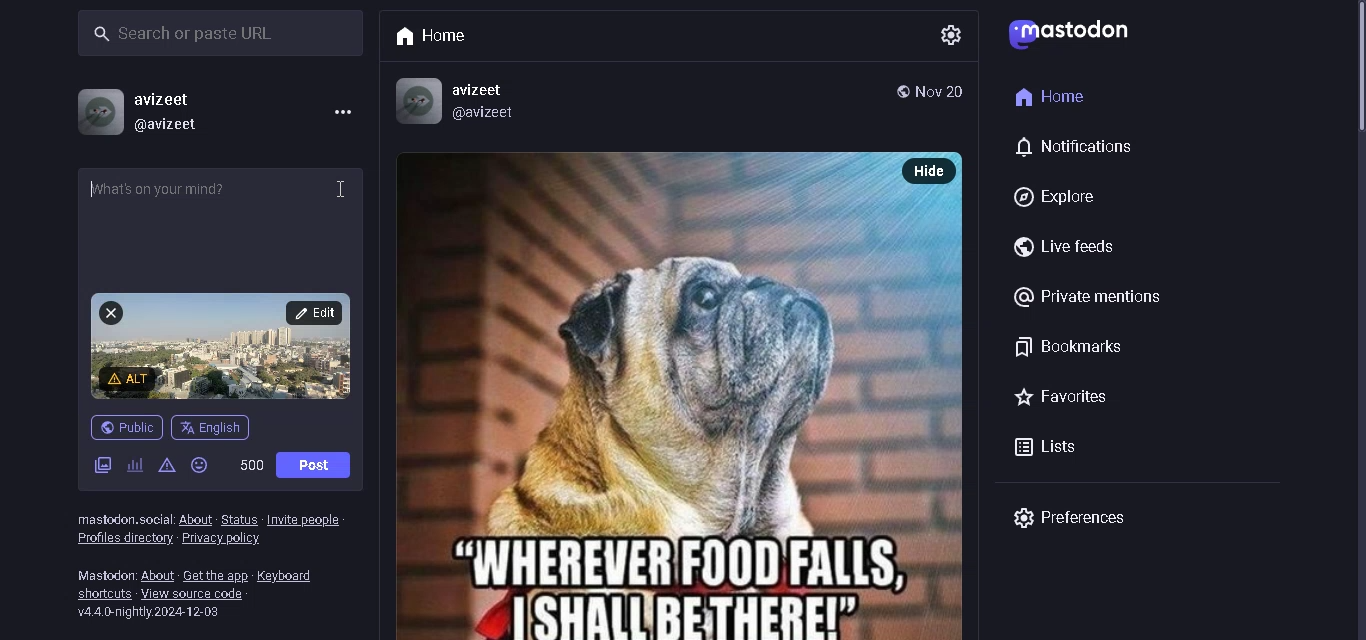 The width and height of the screenshot is (1366, 640). I want to click on keyboard, so click(291, 576).